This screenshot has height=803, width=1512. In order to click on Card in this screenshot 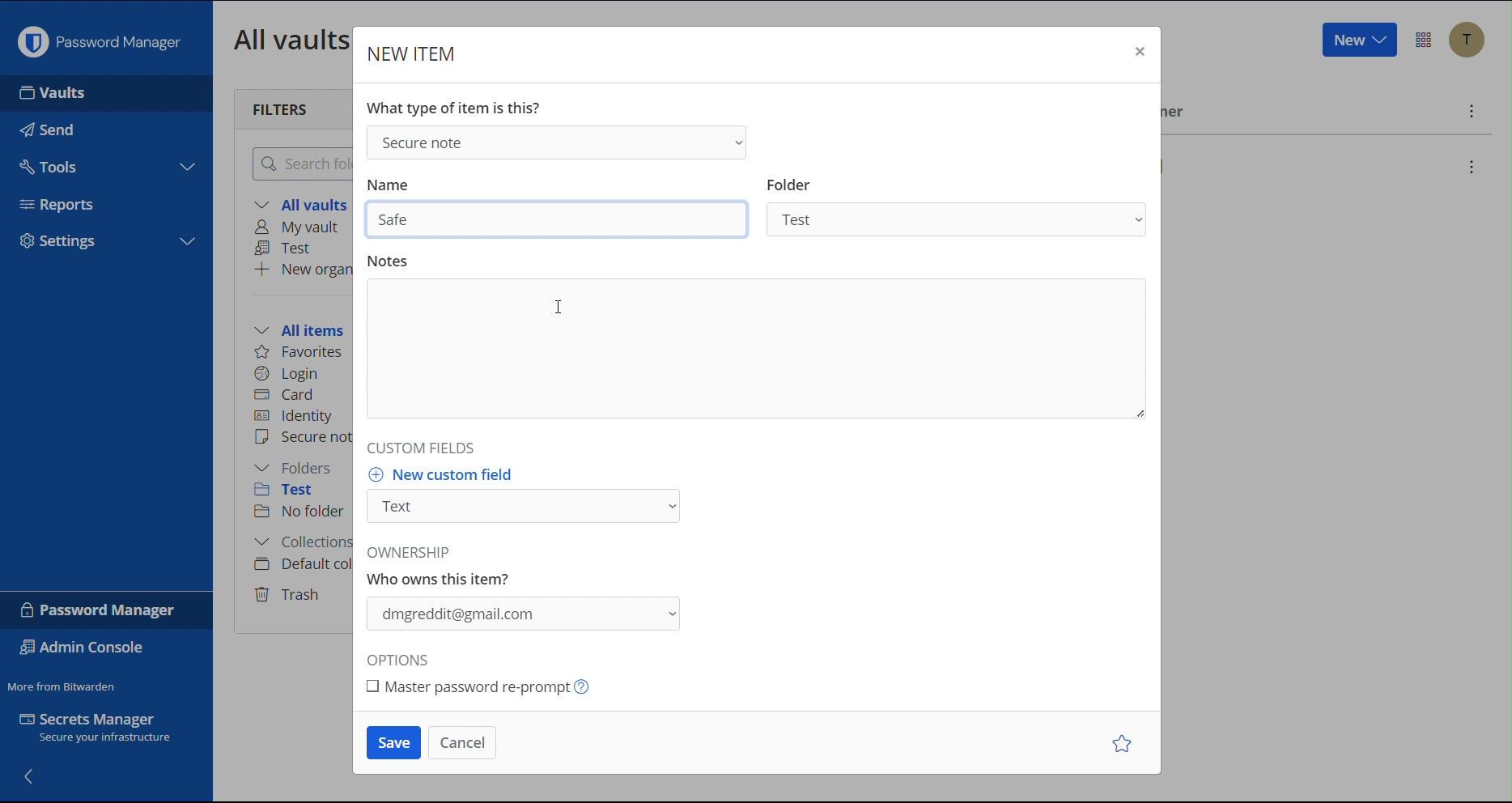, I will do `click(287, 393)`.